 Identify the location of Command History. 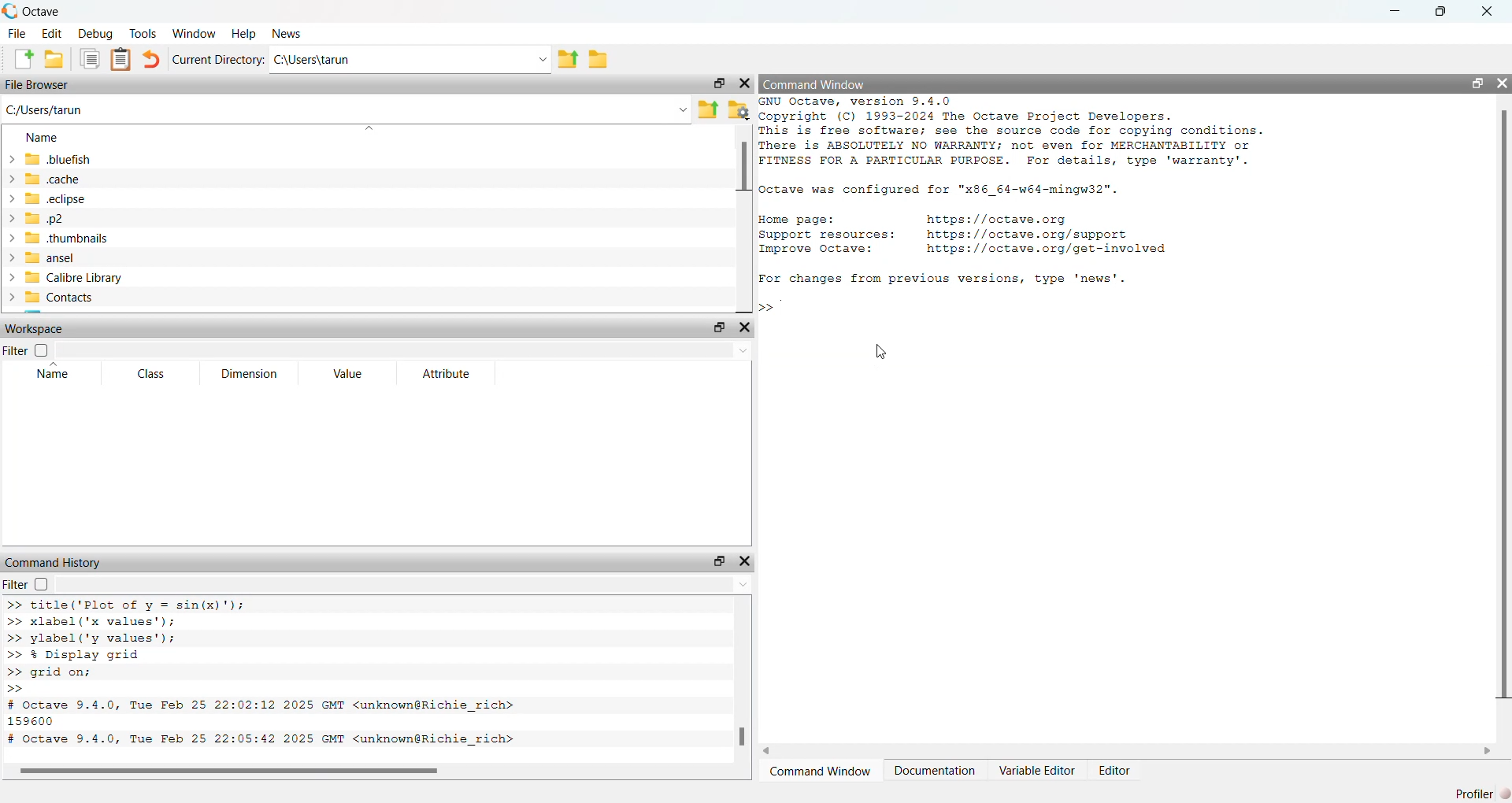
(57, 562).